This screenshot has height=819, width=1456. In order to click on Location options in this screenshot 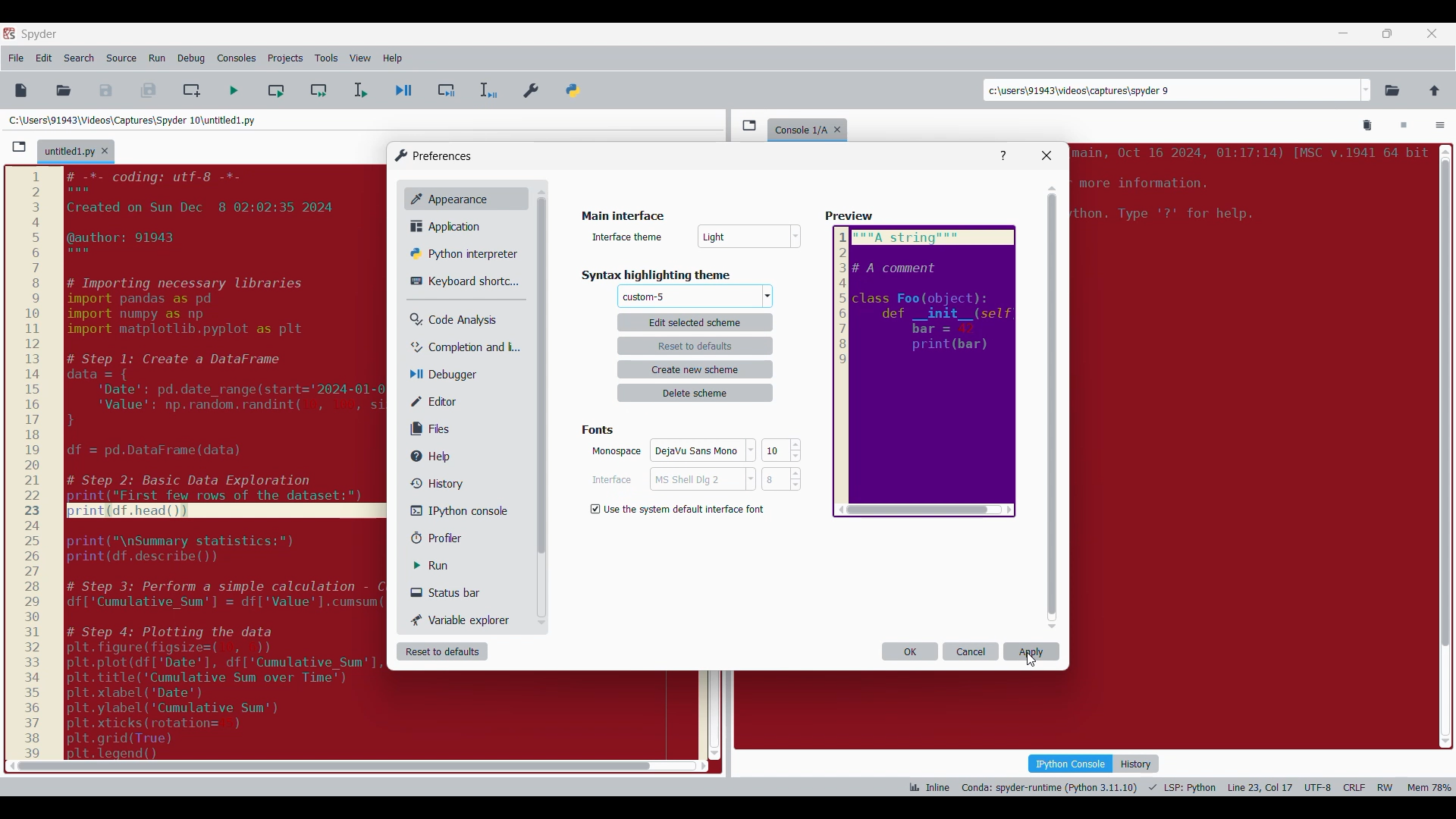, I will do `click(1367, 90)`.